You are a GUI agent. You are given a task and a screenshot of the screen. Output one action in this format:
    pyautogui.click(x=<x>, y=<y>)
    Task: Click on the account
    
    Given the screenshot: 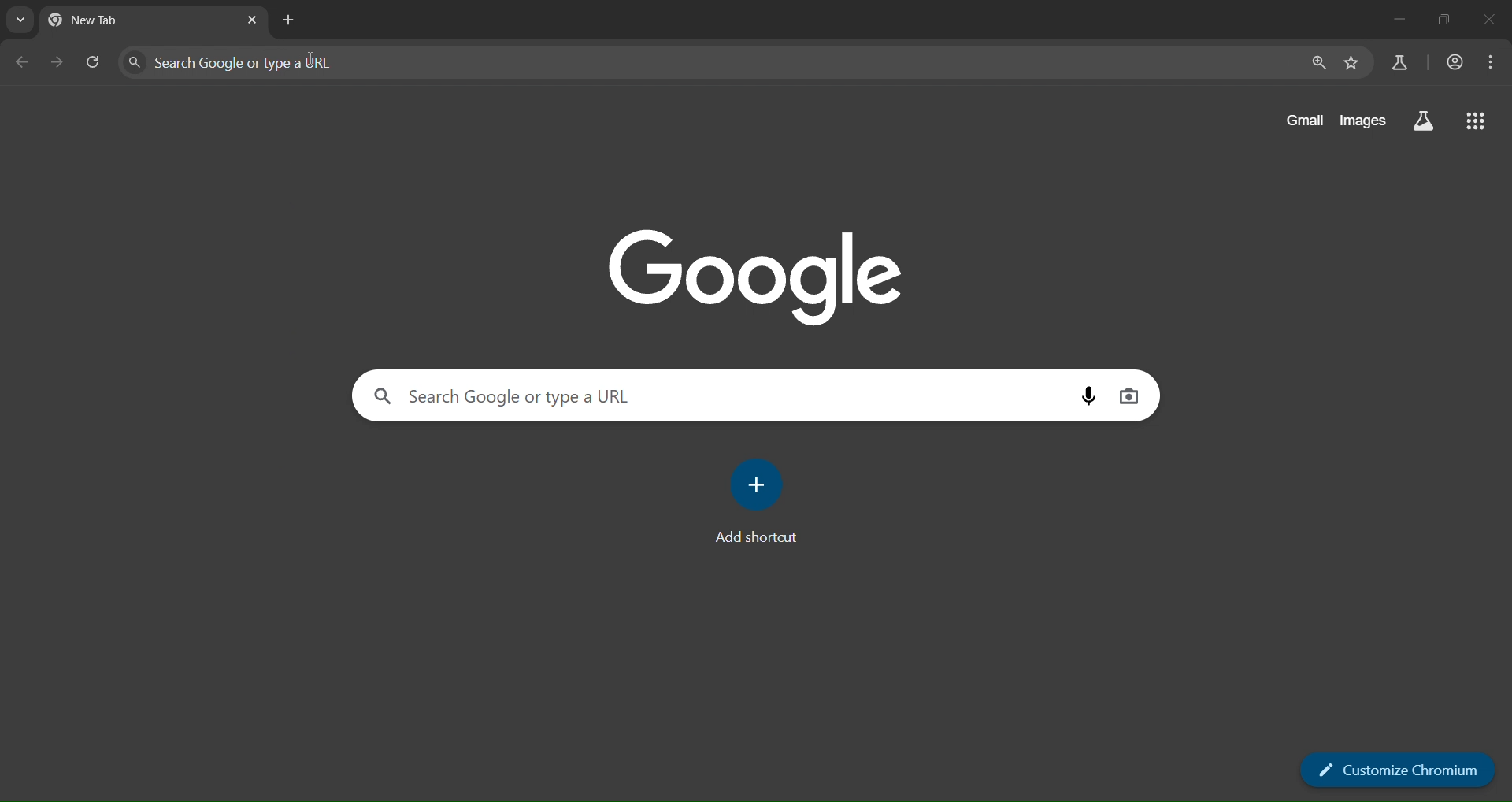 What is the action you would take?
    pyautogui.click(x=1452, y=61)
    